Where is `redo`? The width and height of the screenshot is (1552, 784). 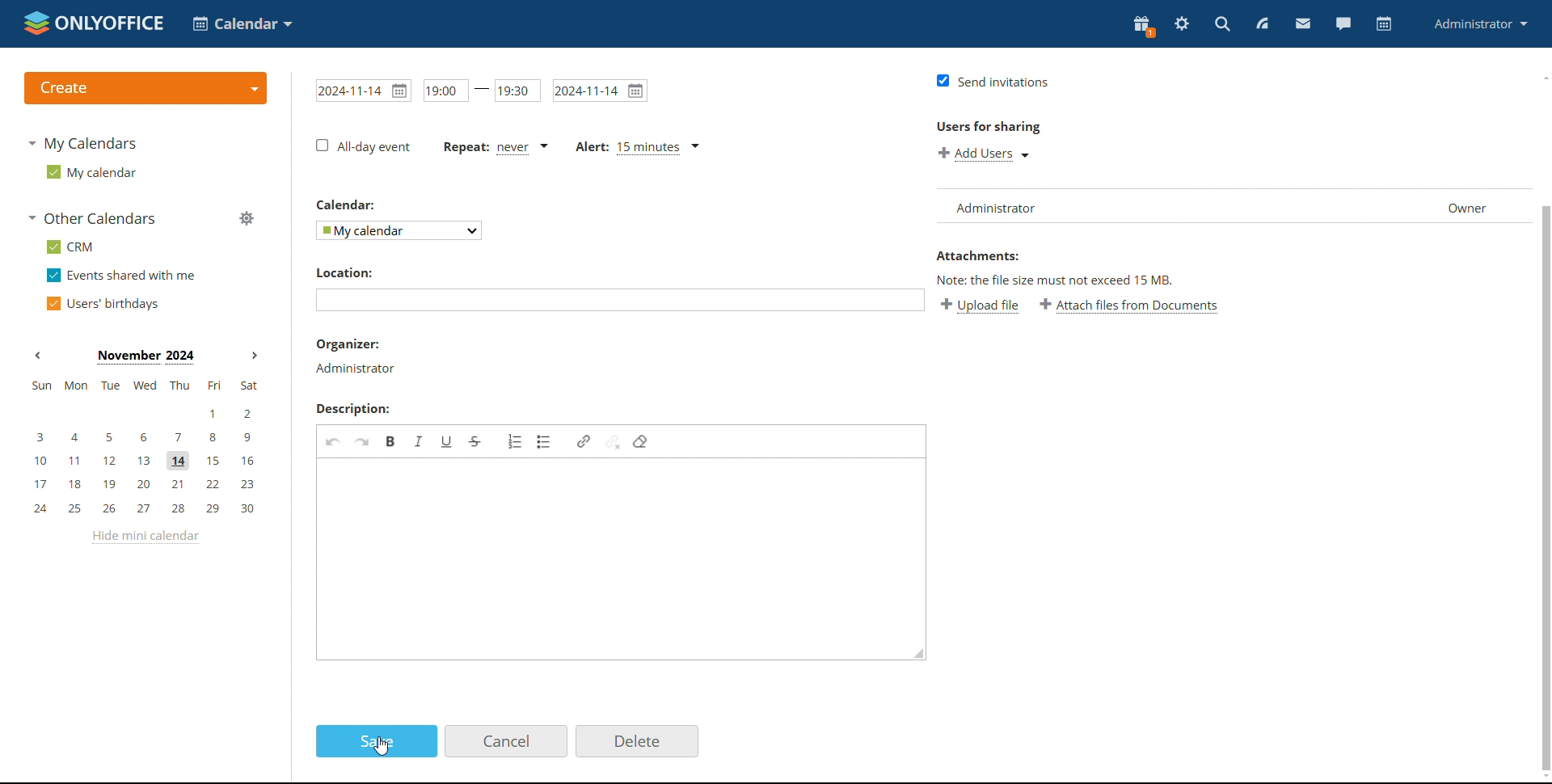
redo is located at coordinates (361, 444).